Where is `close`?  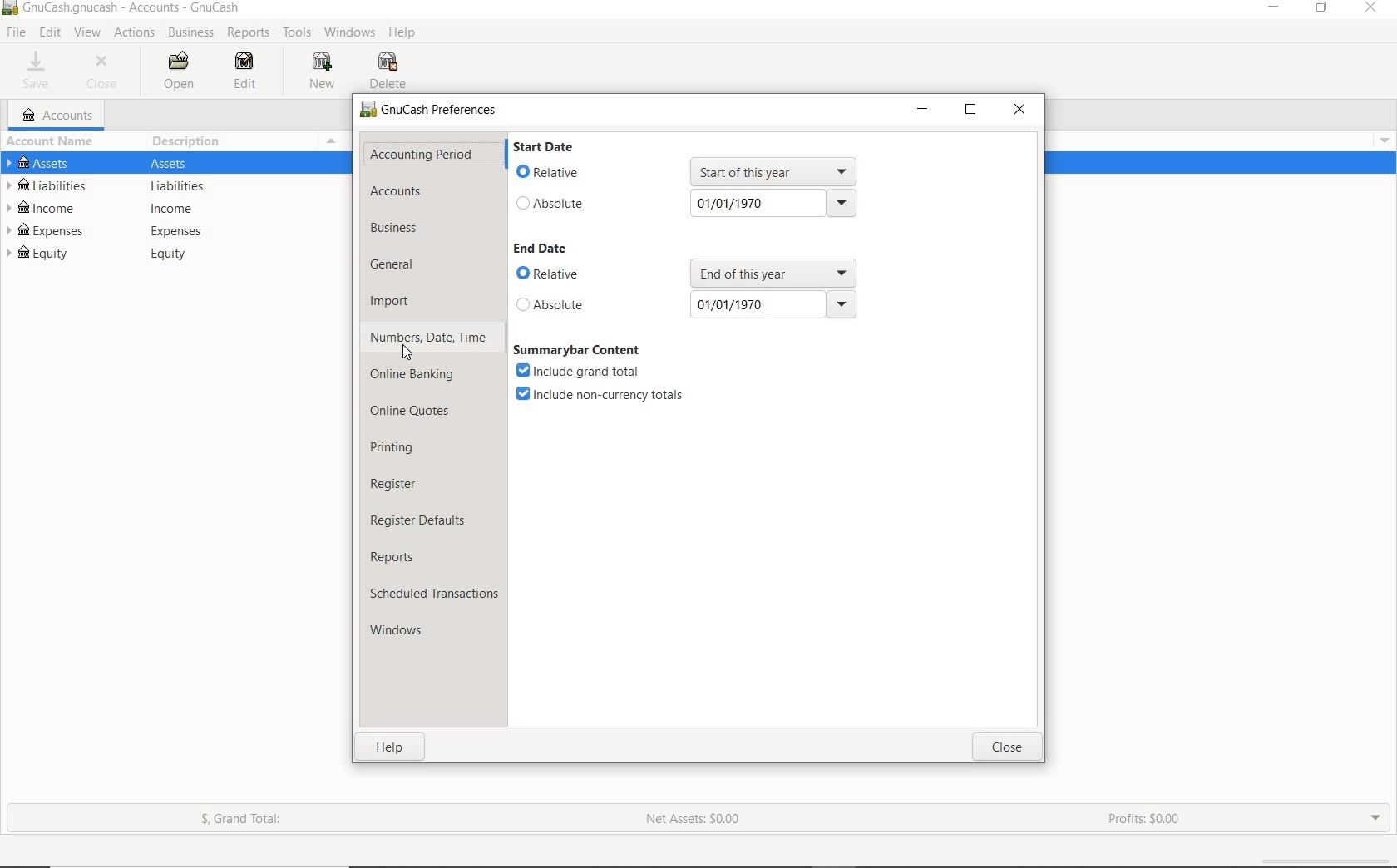
close is located at coordinates (1006, 748).